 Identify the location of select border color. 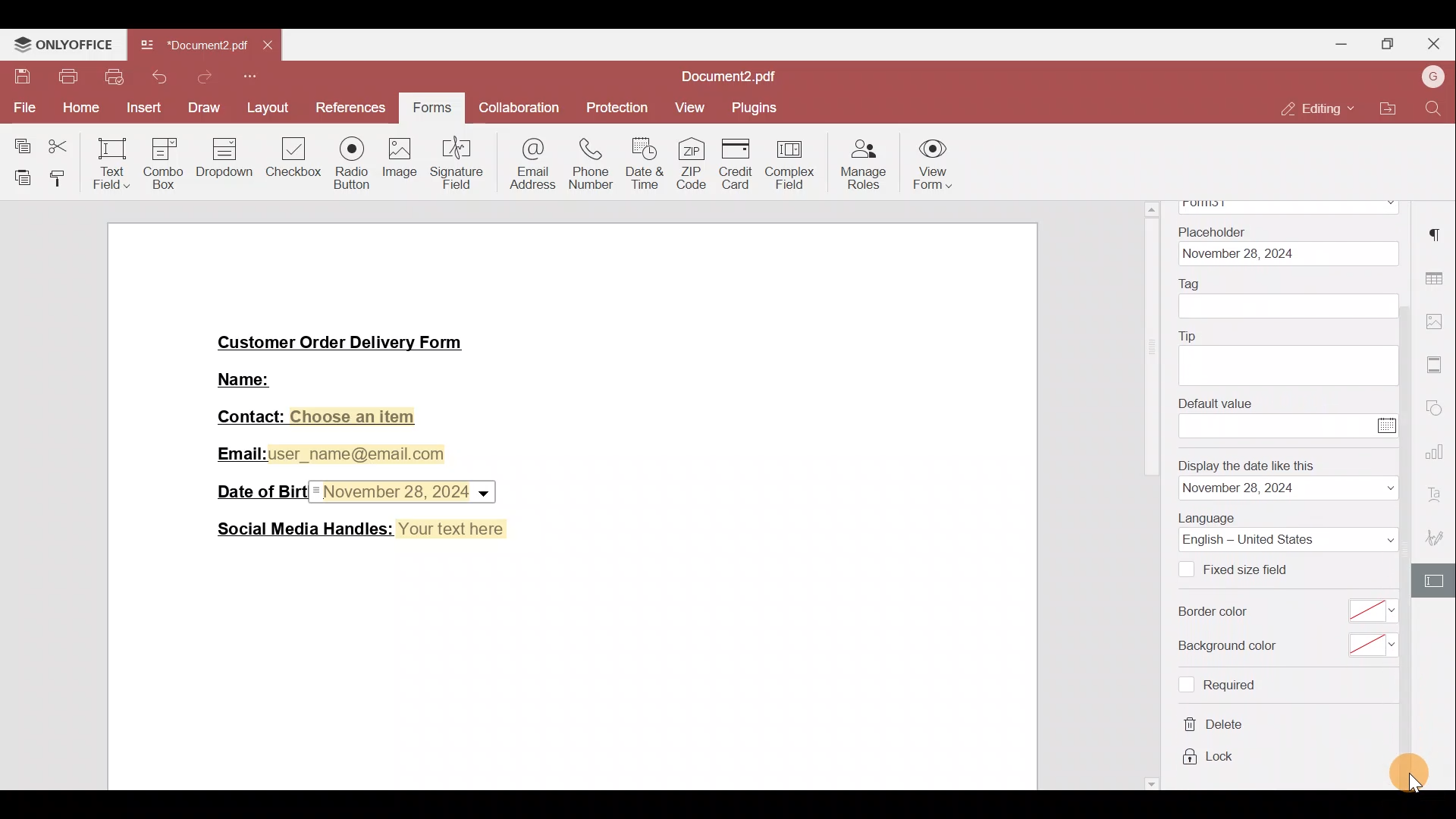
(1373, 610).